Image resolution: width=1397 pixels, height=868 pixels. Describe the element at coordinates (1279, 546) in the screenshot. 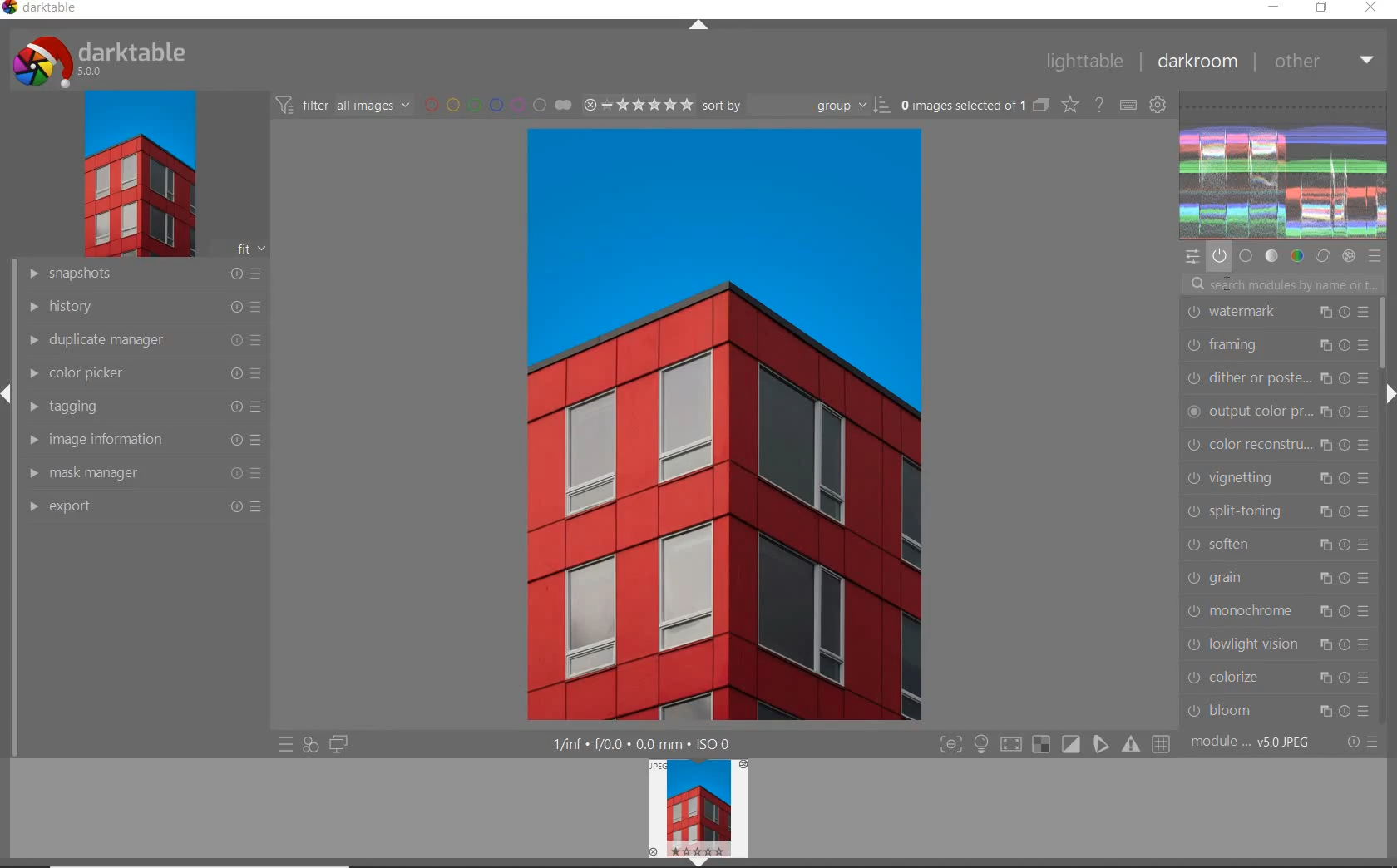

I see `soften` at that location.